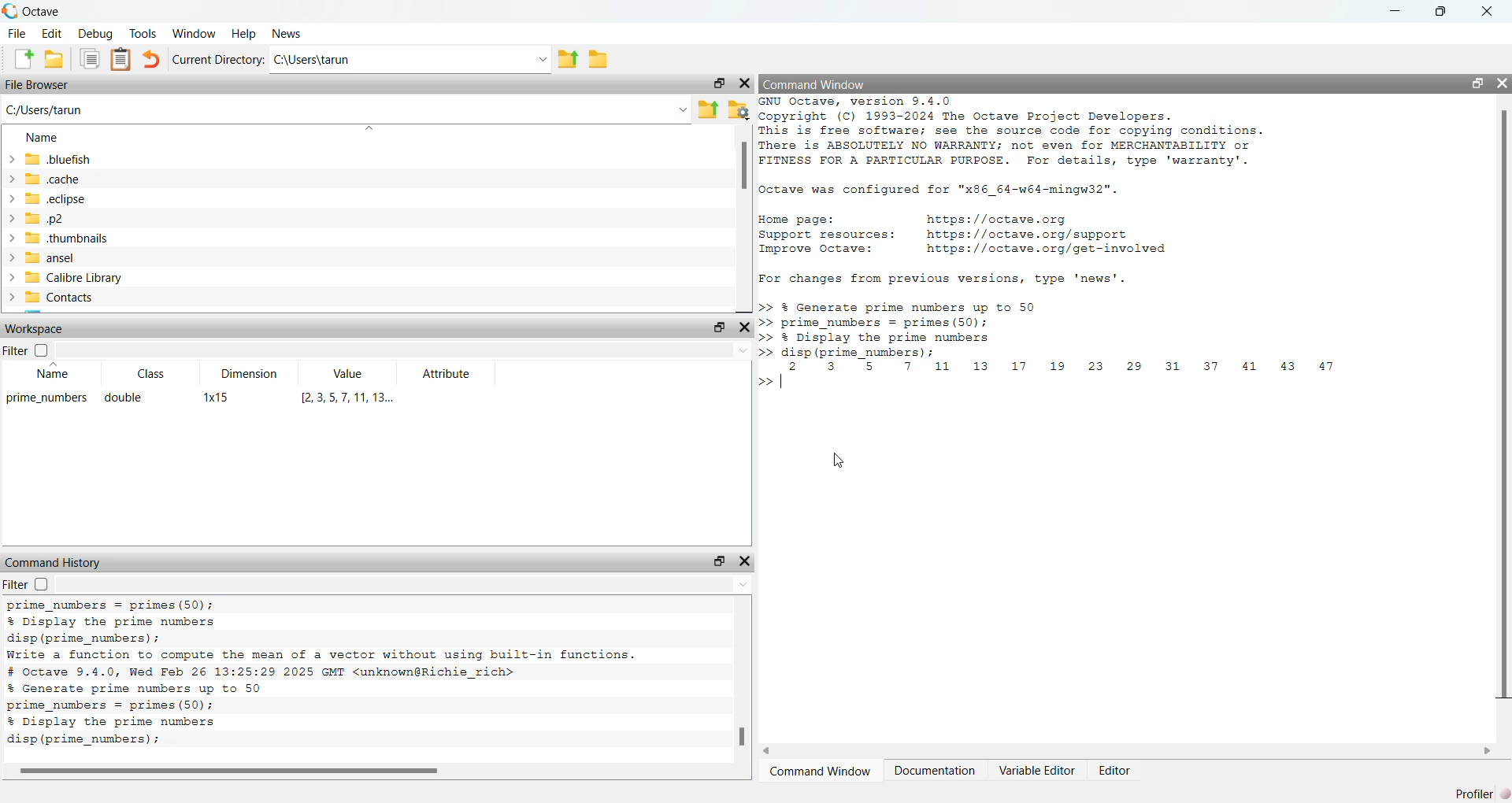 This screenshot has height=803, width=1512. Describe the element at coordinates (1488, 751) in the screenshot. I see `scroll right` at that location.